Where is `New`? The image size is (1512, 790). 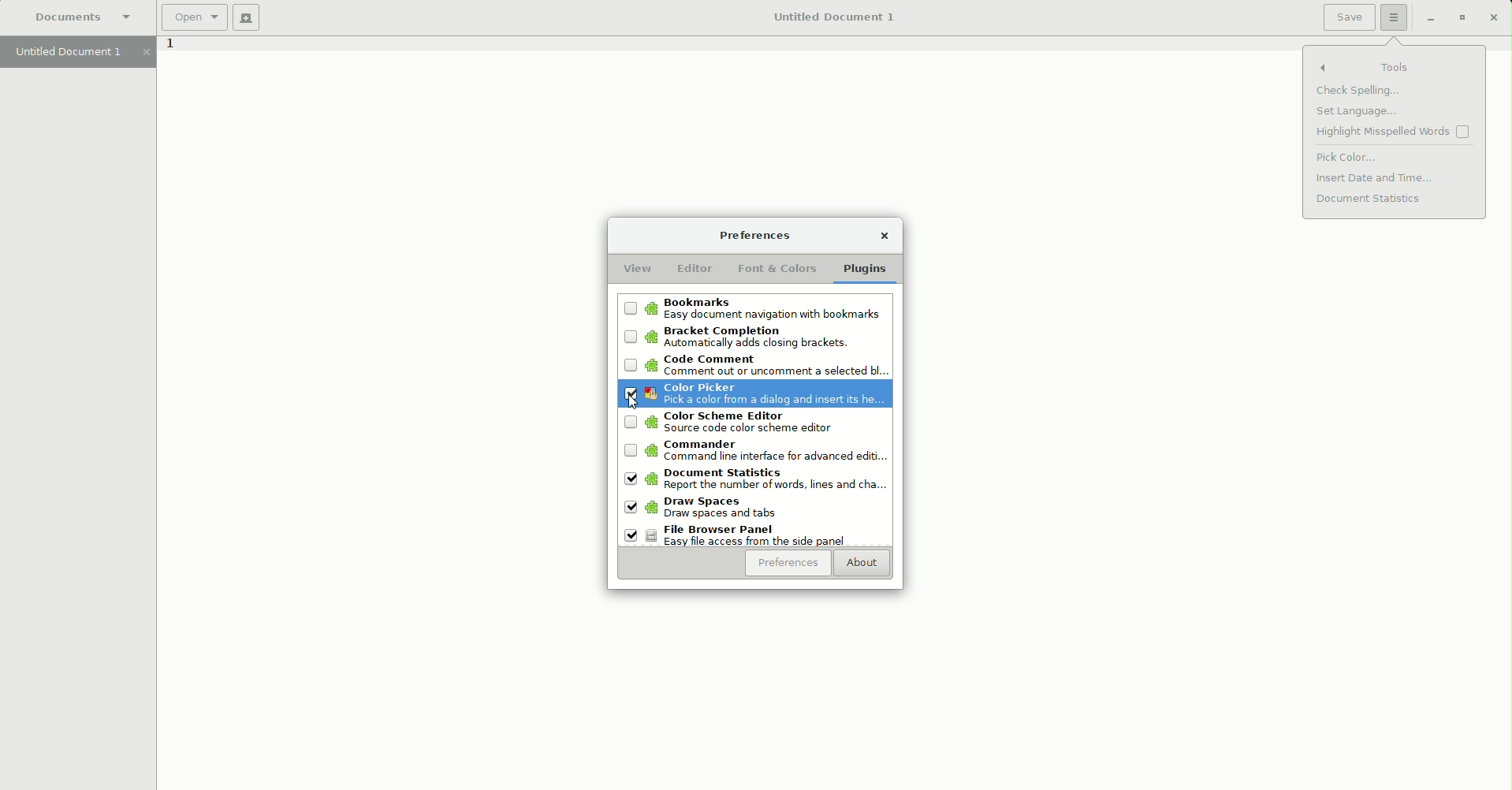
New is located at coordinates (246, 18).